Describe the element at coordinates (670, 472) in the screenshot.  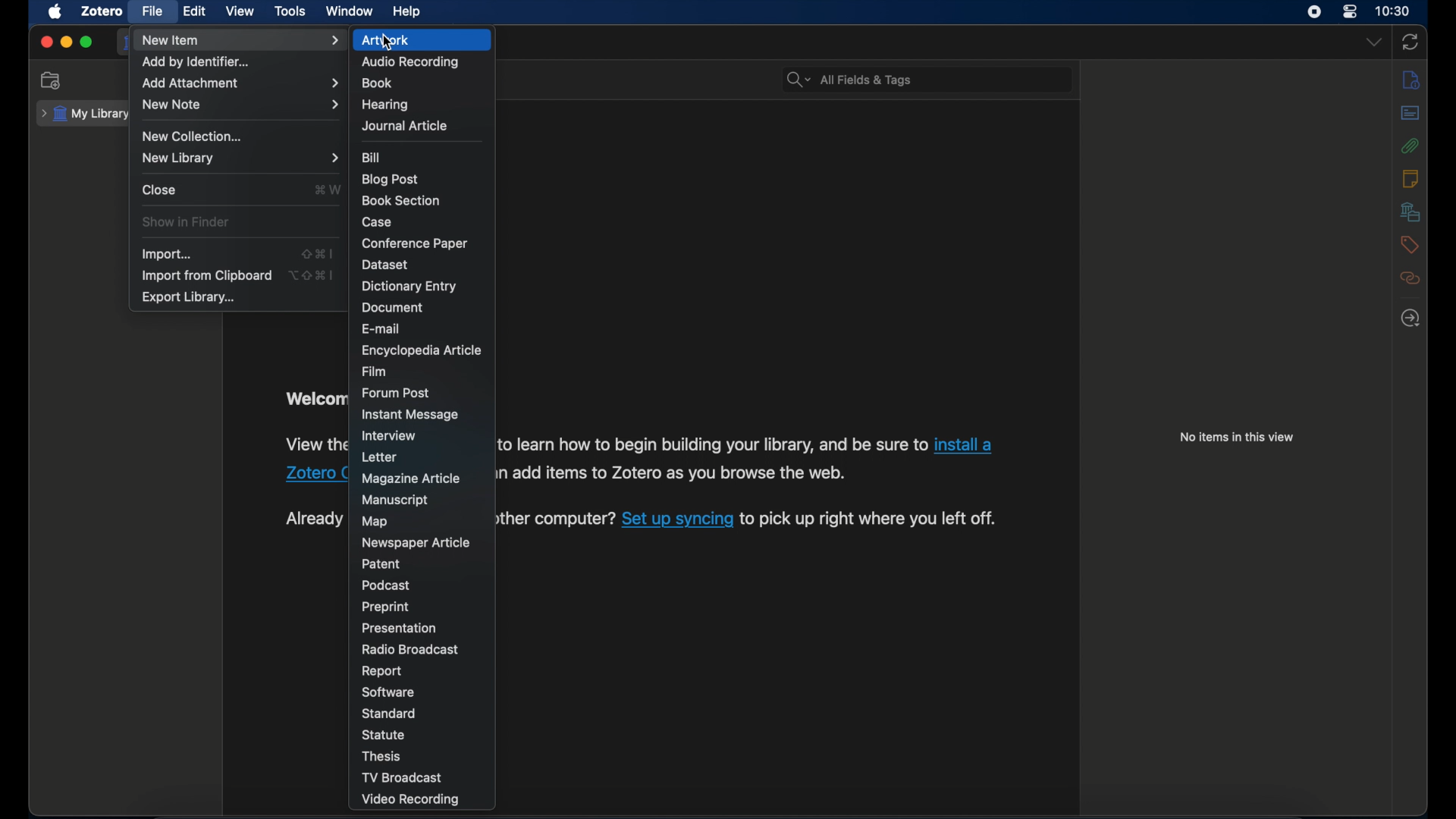
I see `` at that location.